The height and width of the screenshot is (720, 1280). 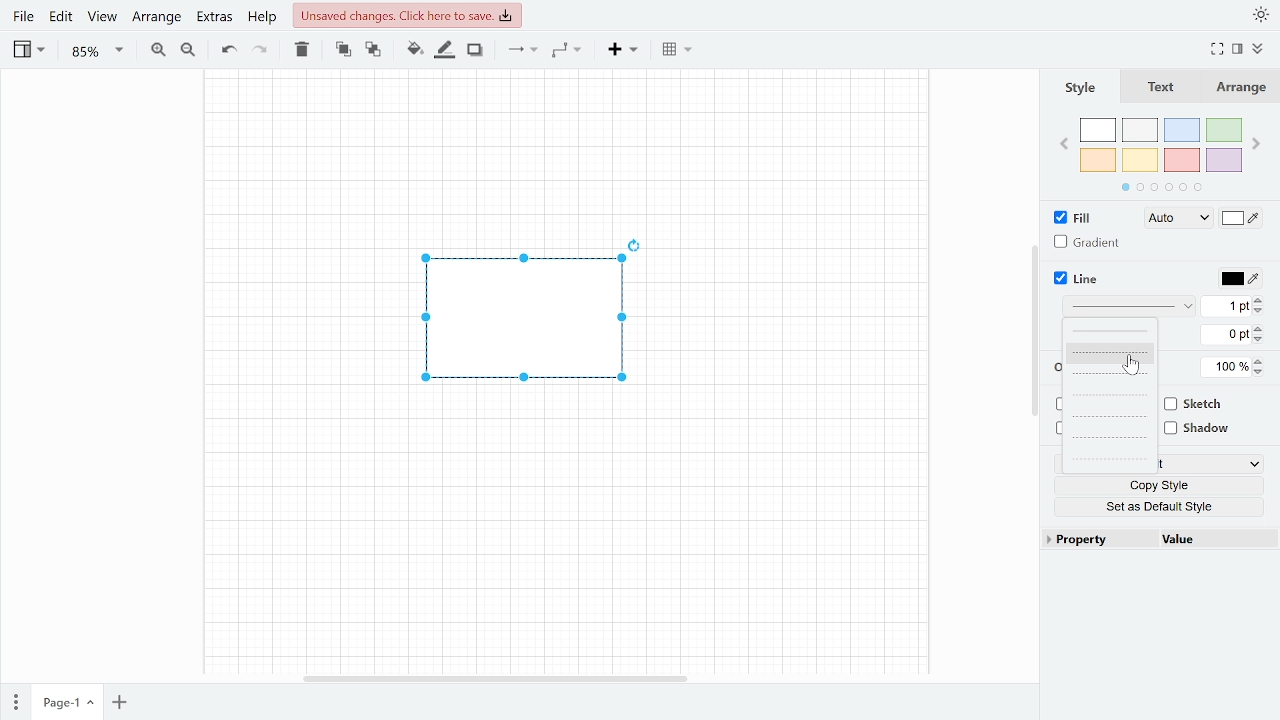 What do you see at coordinates (1124, 308) in the screenshot?
I see `Pattern` at bounding box center [1124, 308].